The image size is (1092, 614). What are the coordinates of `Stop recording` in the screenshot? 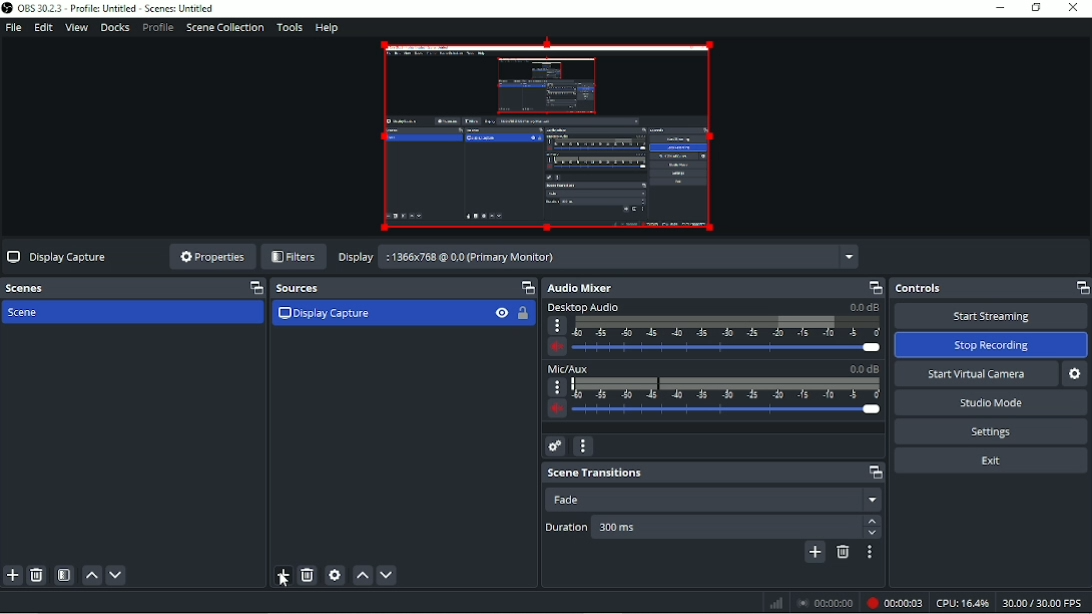 It's located at (824, 603).